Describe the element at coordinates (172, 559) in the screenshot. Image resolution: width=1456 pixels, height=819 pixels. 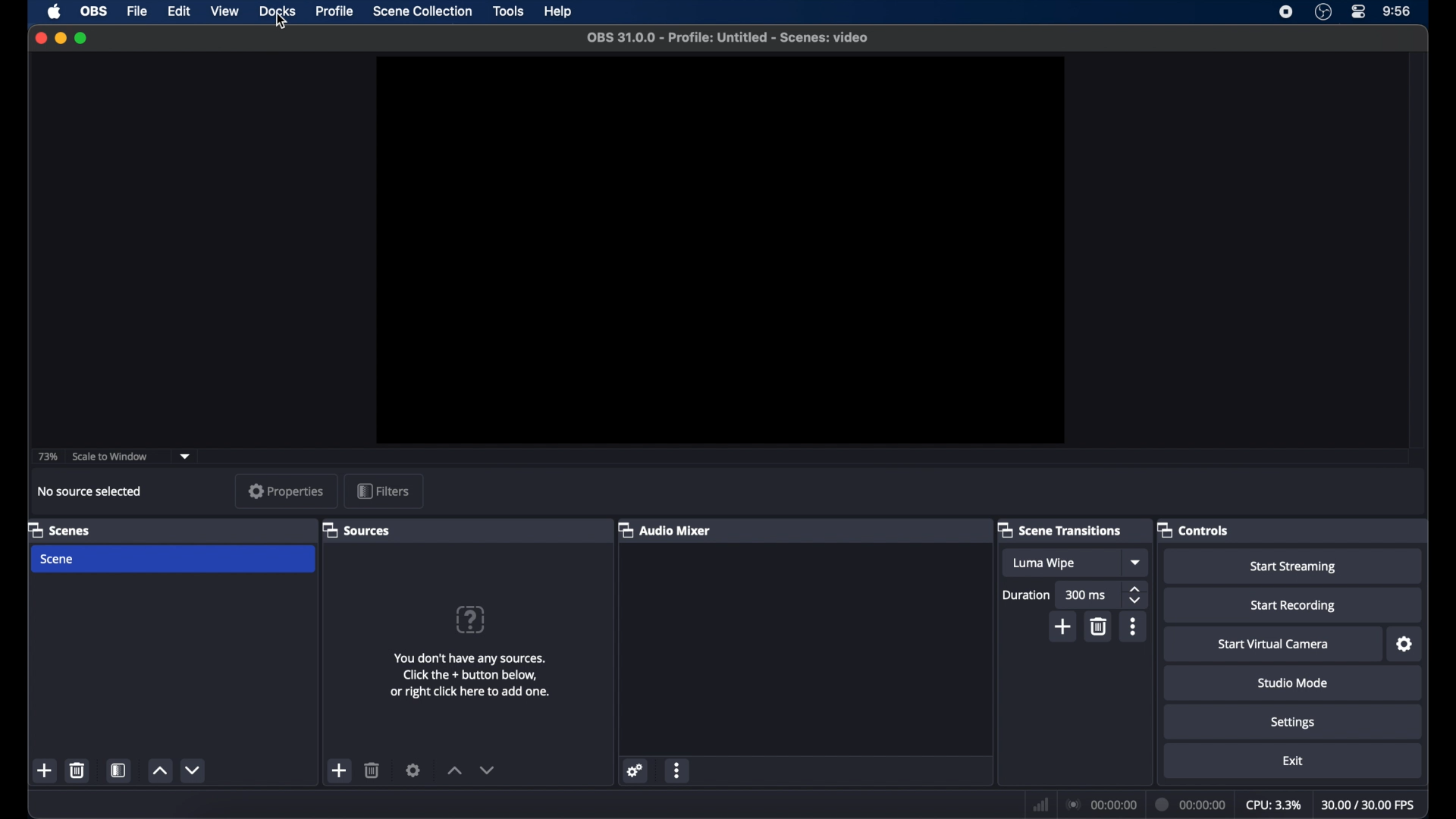
I see `scene` at that location.